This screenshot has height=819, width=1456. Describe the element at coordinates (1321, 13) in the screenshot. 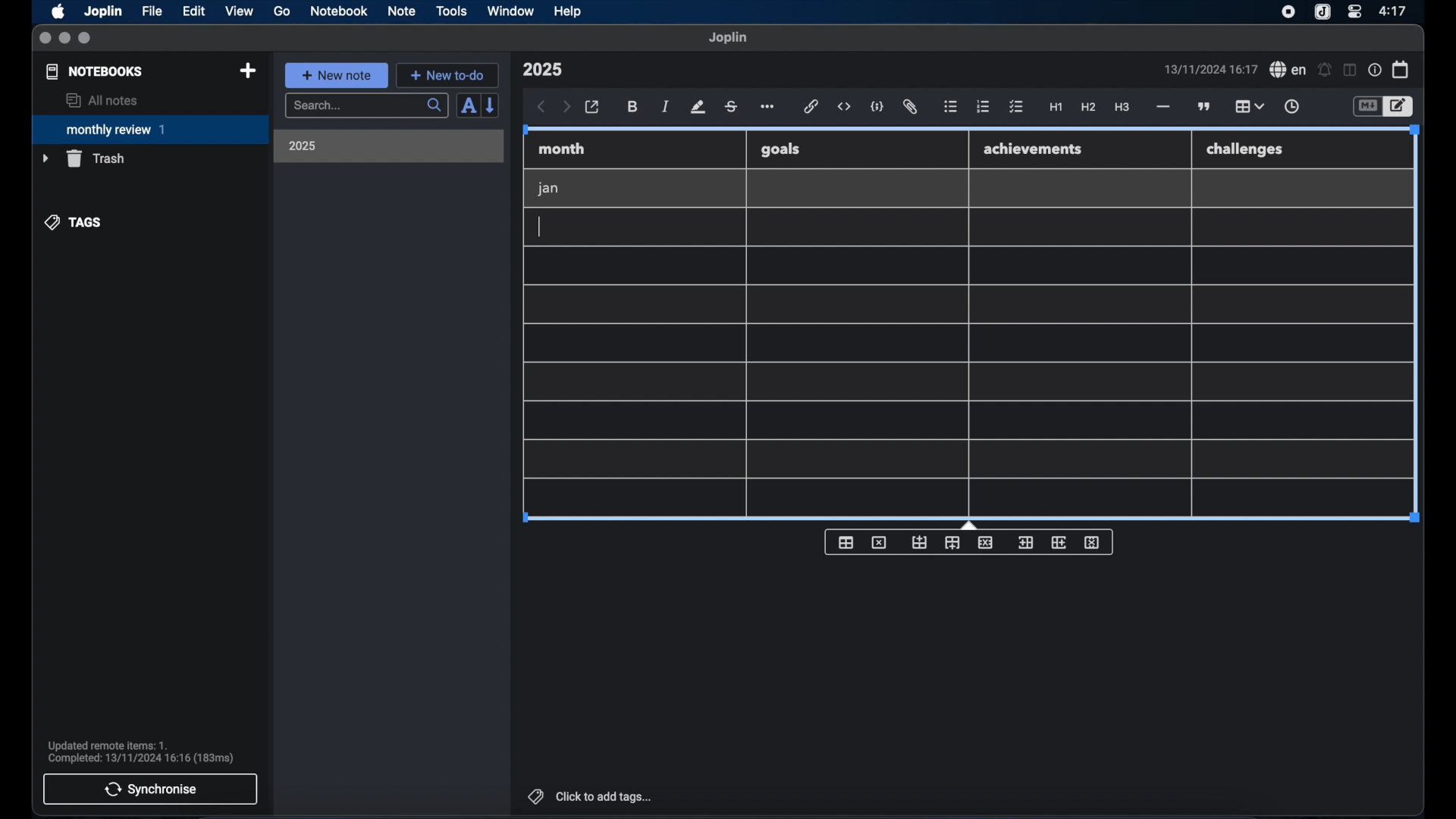

I see `joplin icon` at that location.